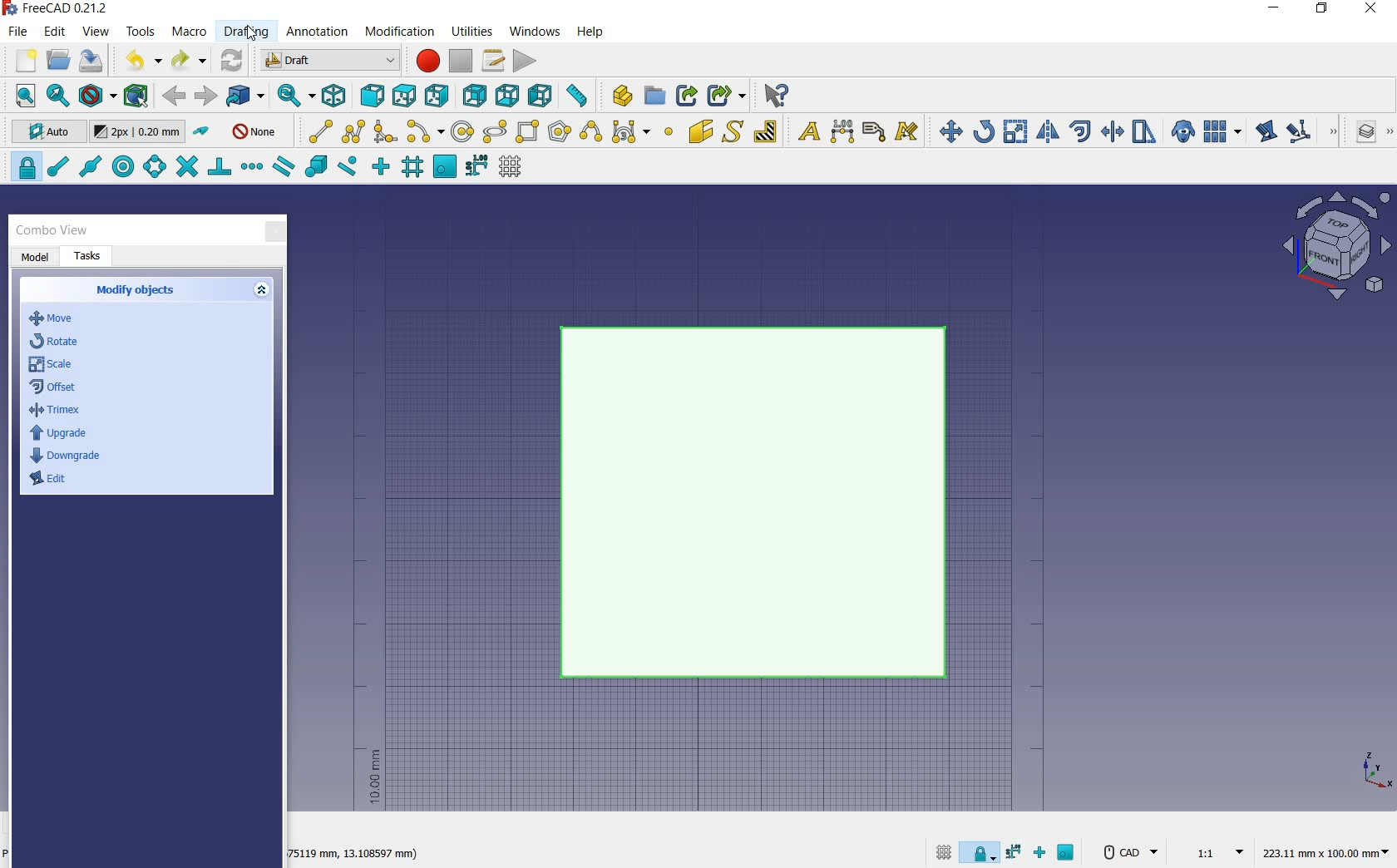 Image resolution: width=1397 pixels, height=868 pixels. What do you see at coordinates (96, 32) in the screenshot?
I see `view` at bounding box center [96, 32].